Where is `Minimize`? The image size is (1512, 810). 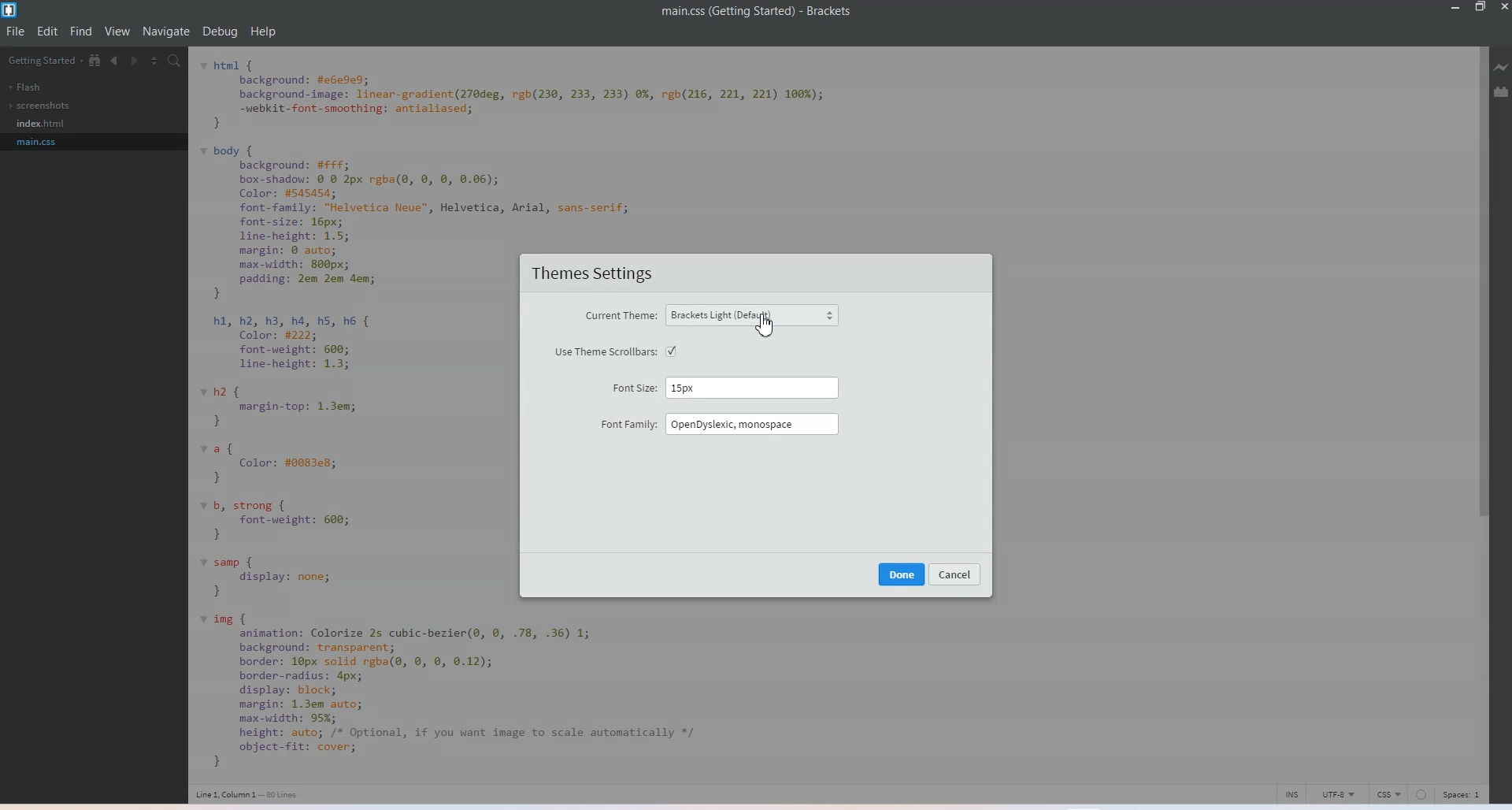 Minimize is located at coordinates (1453, 8).